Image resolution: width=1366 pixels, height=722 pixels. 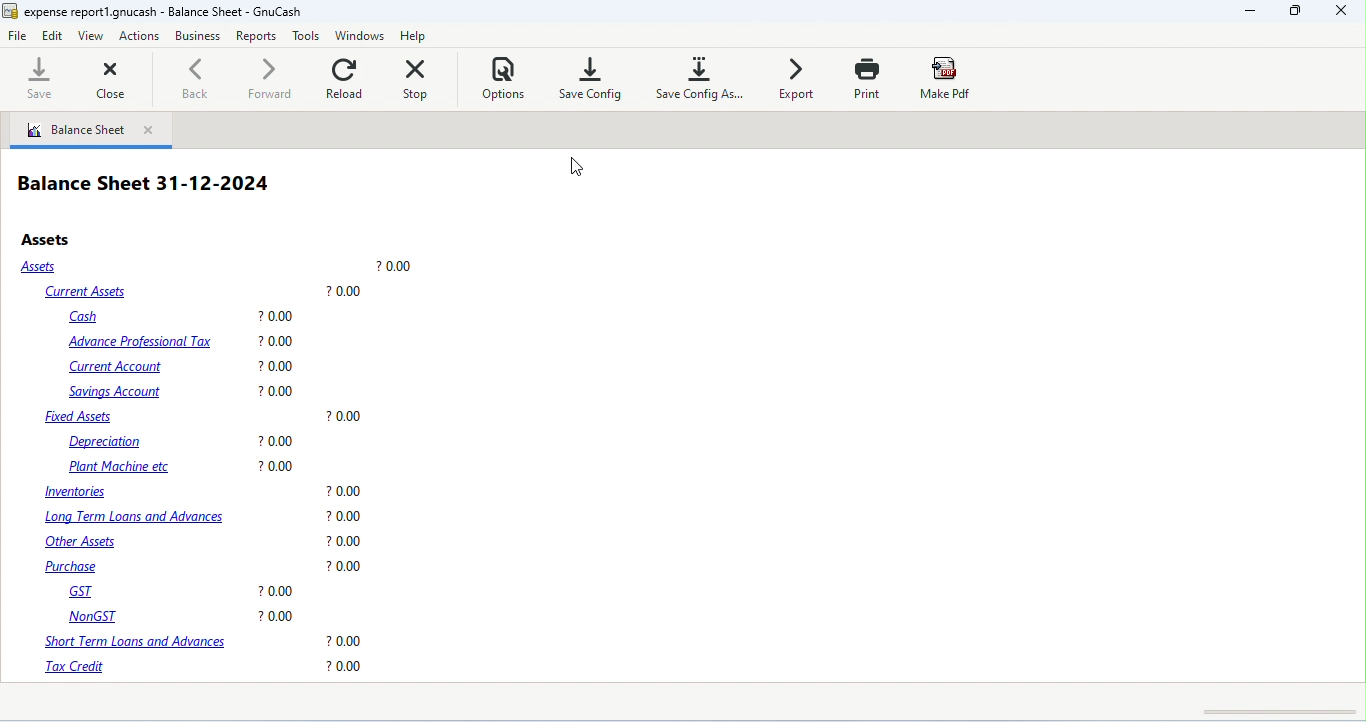 What do you see at coordinates (183, 392) in the screenshot?
I see `savings account` at bounding box center [183, 392].